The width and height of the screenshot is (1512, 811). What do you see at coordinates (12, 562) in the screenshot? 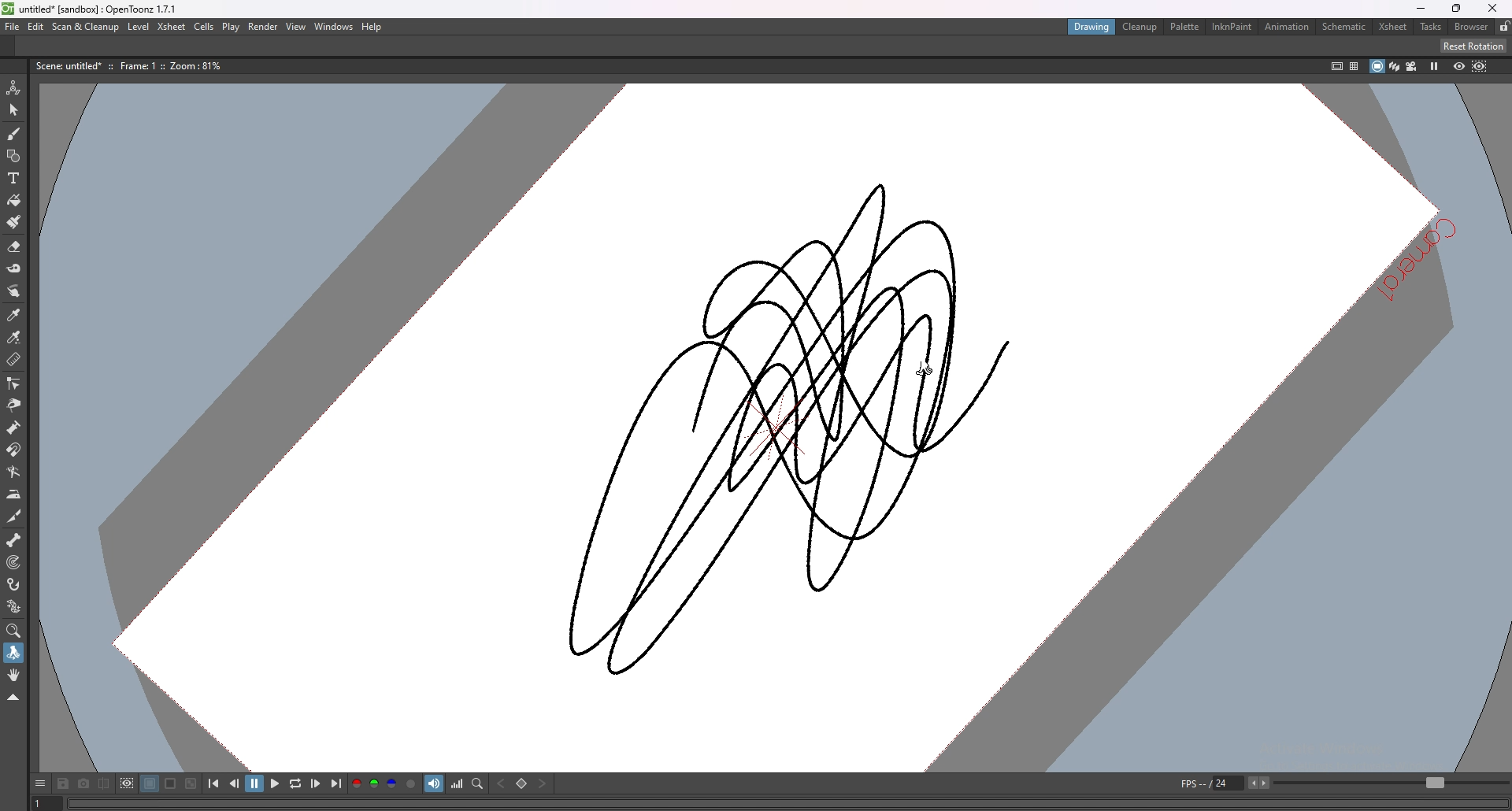
I see `target` at bounding box center [12, 562].